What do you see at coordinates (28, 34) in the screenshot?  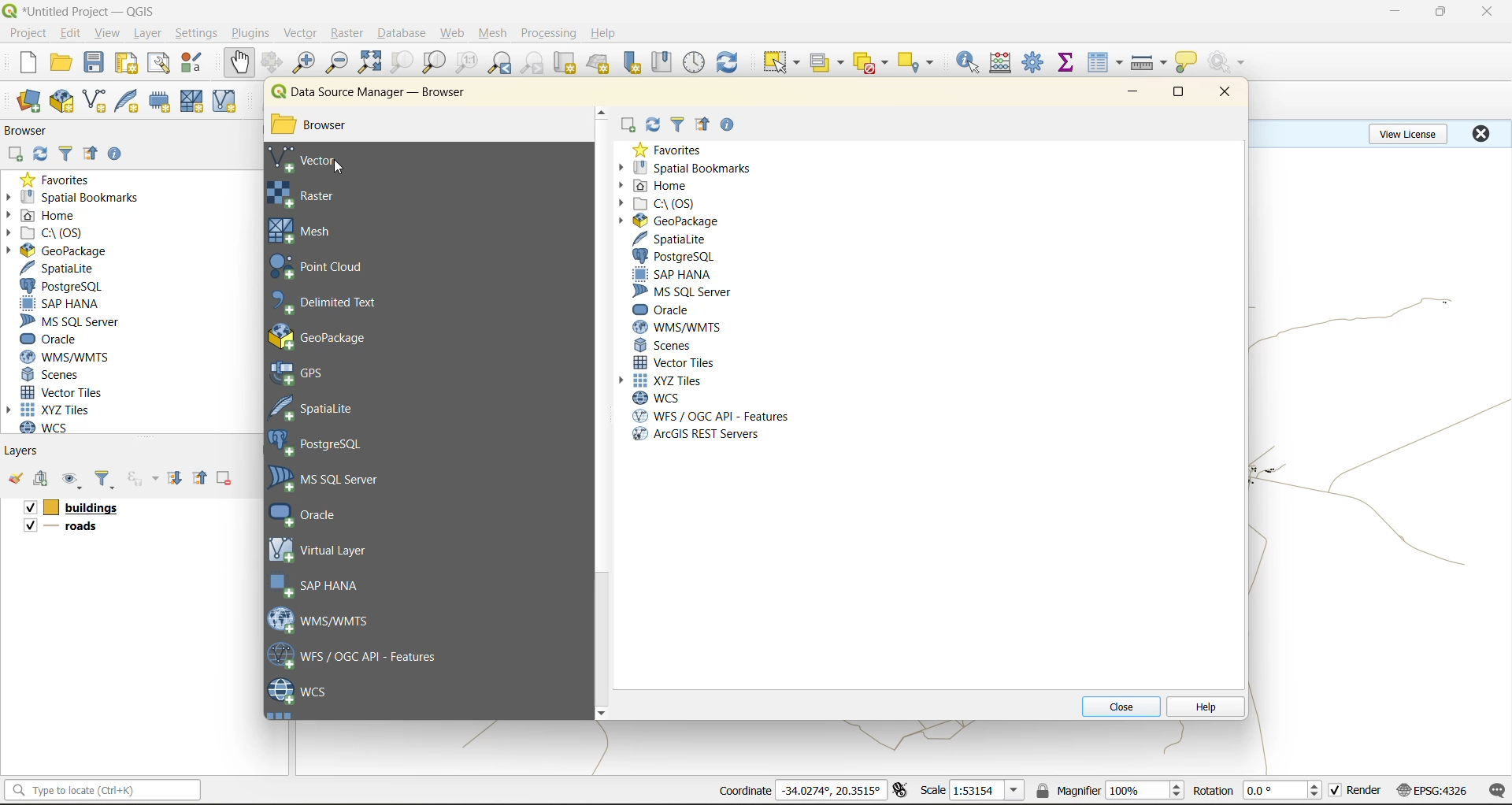 I see `project` at bounding box center [28, 34].